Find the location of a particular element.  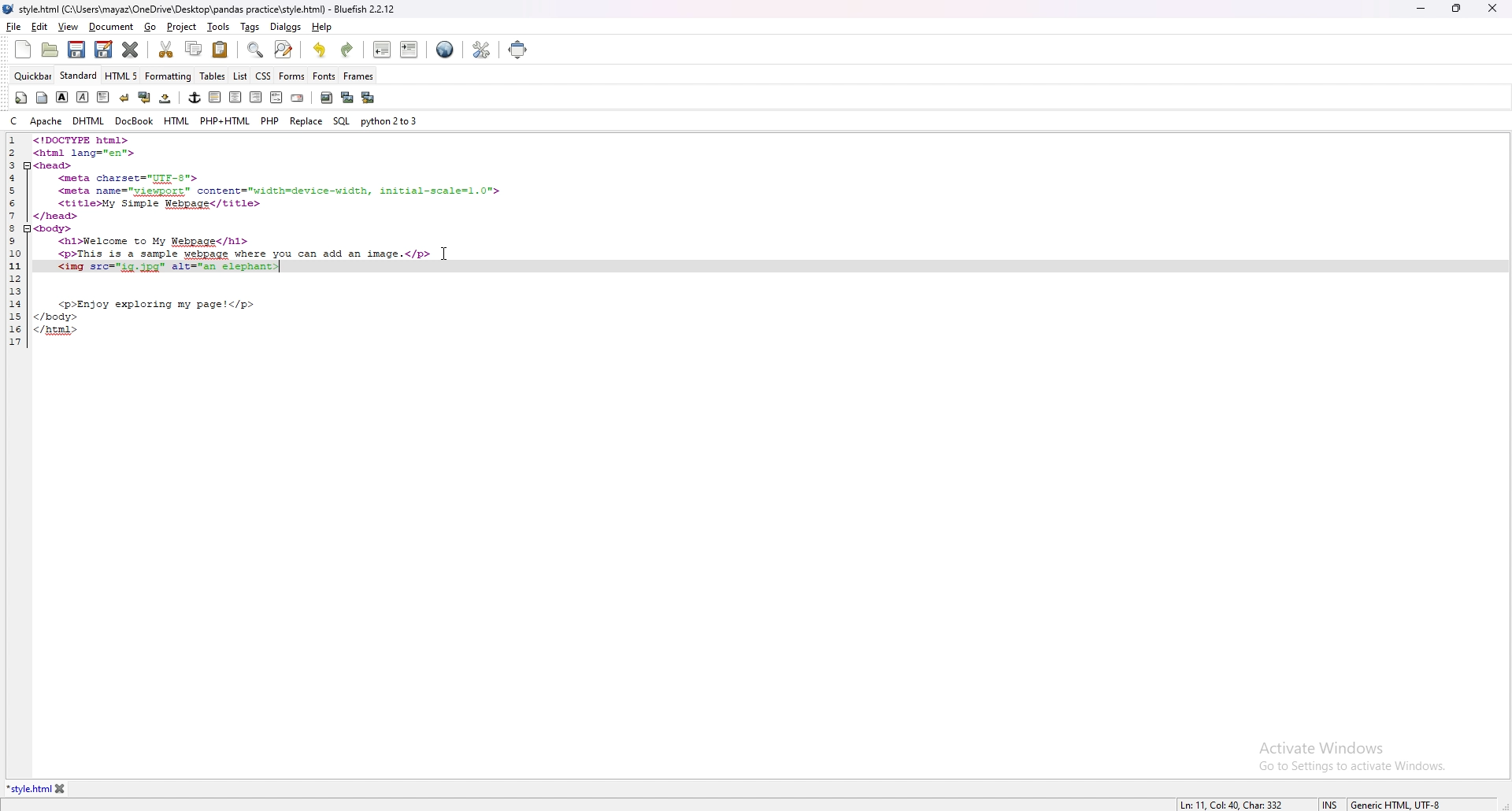

multi thumbnail is located at coordinates (367, 98).